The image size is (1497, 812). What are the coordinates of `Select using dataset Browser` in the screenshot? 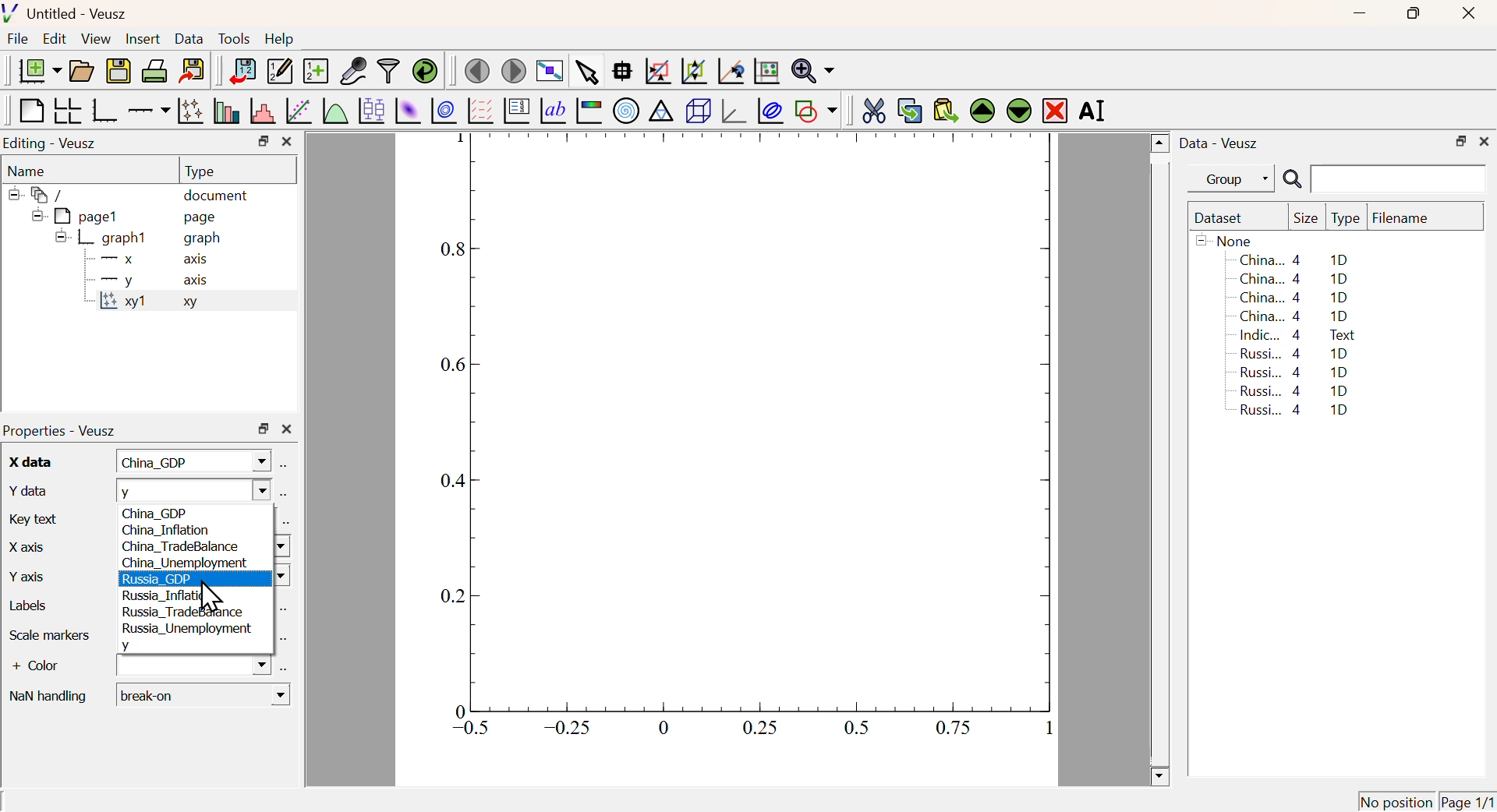 It's located at (282, 610).